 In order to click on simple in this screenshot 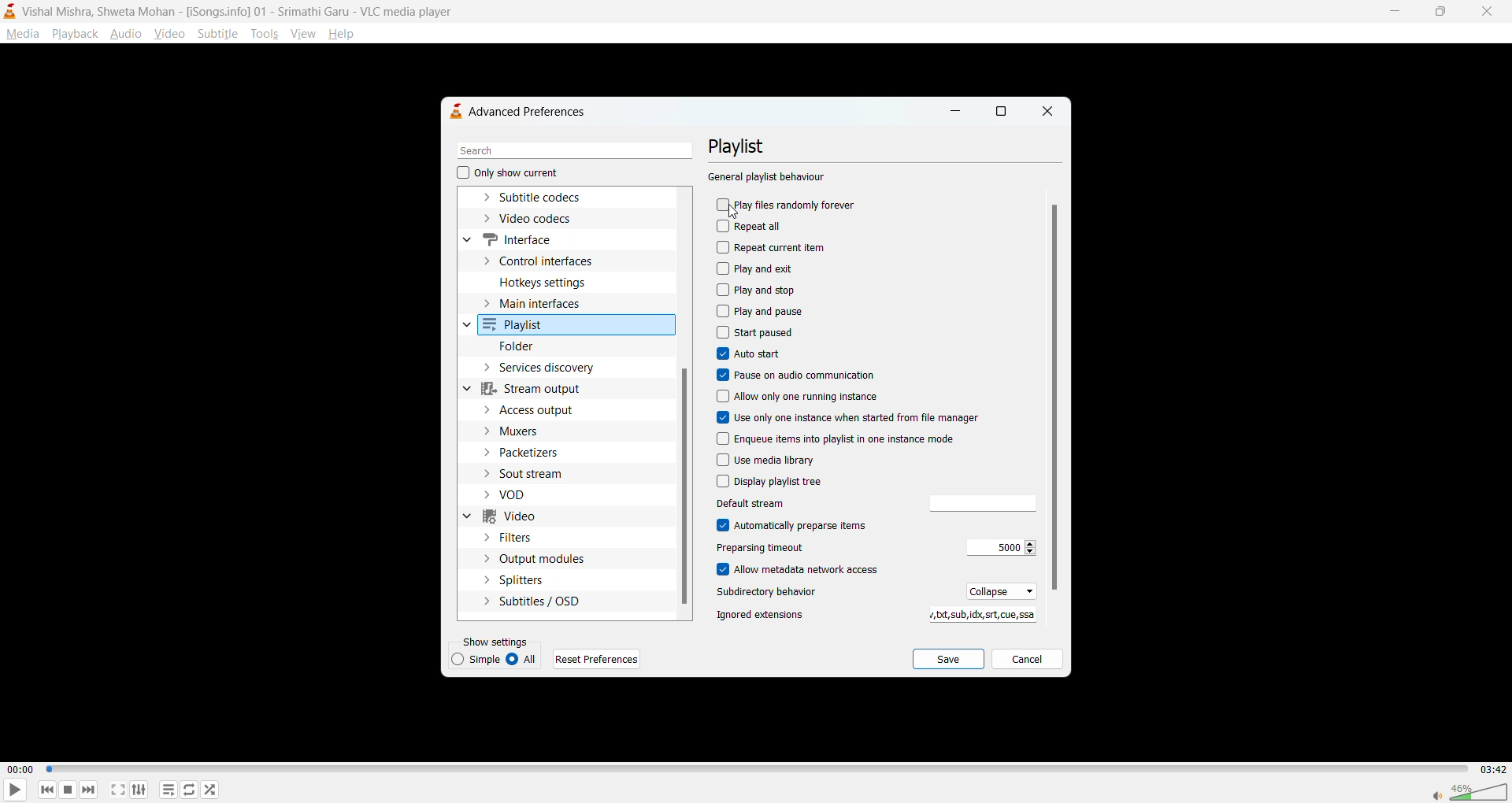, I will do `click(478, 659)`.